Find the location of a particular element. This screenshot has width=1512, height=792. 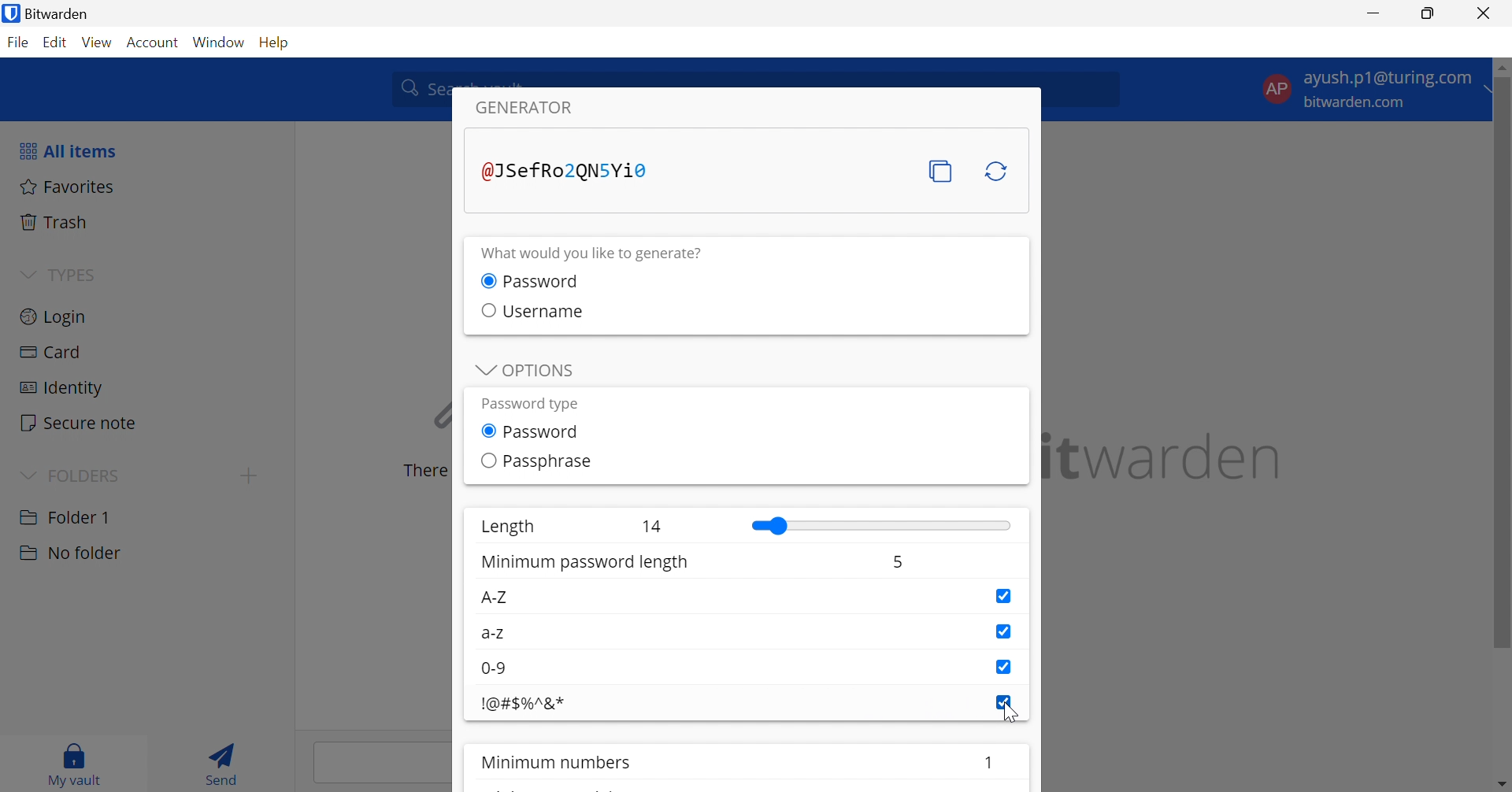

scrollbar is located at coordinates (1503, 366).